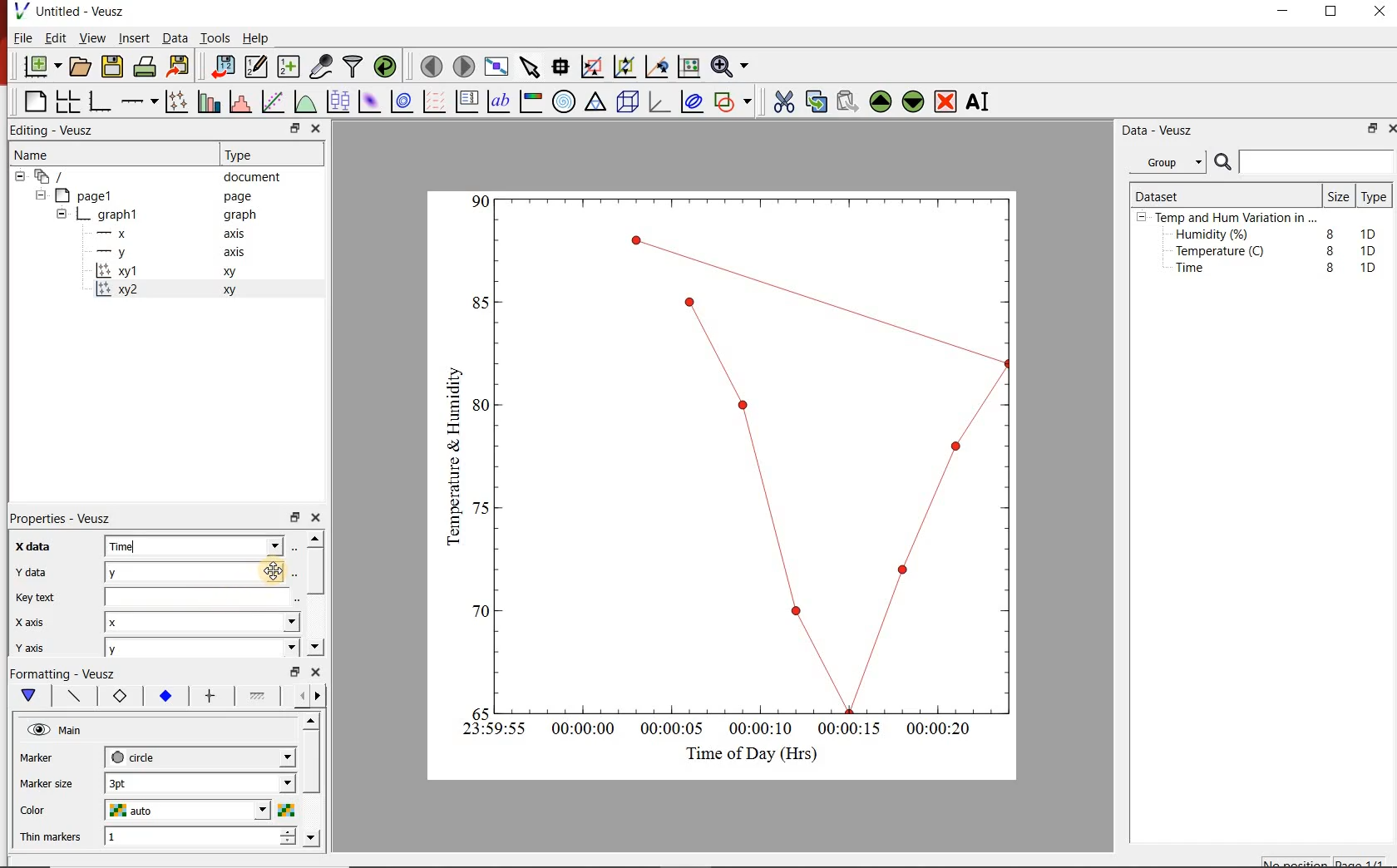 The width and height of the screenshot is (1397, 868). What do you see at coordinates (238, 254) in the screenshot?
I see `axis` at bounding box center [238, 254].